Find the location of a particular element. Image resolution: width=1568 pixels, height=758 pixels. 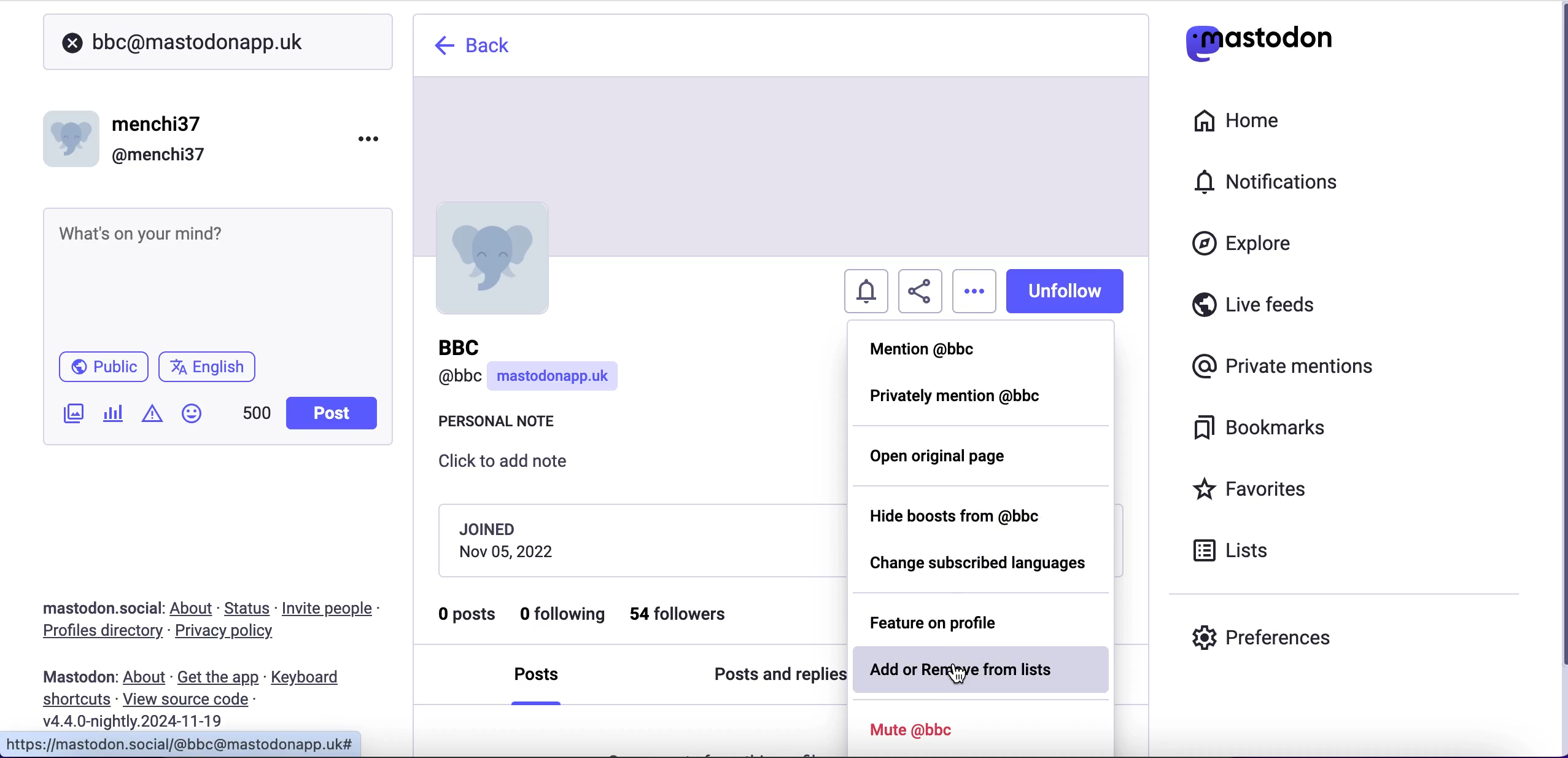

privately mention @bbc is located at coordinates (964, 399).